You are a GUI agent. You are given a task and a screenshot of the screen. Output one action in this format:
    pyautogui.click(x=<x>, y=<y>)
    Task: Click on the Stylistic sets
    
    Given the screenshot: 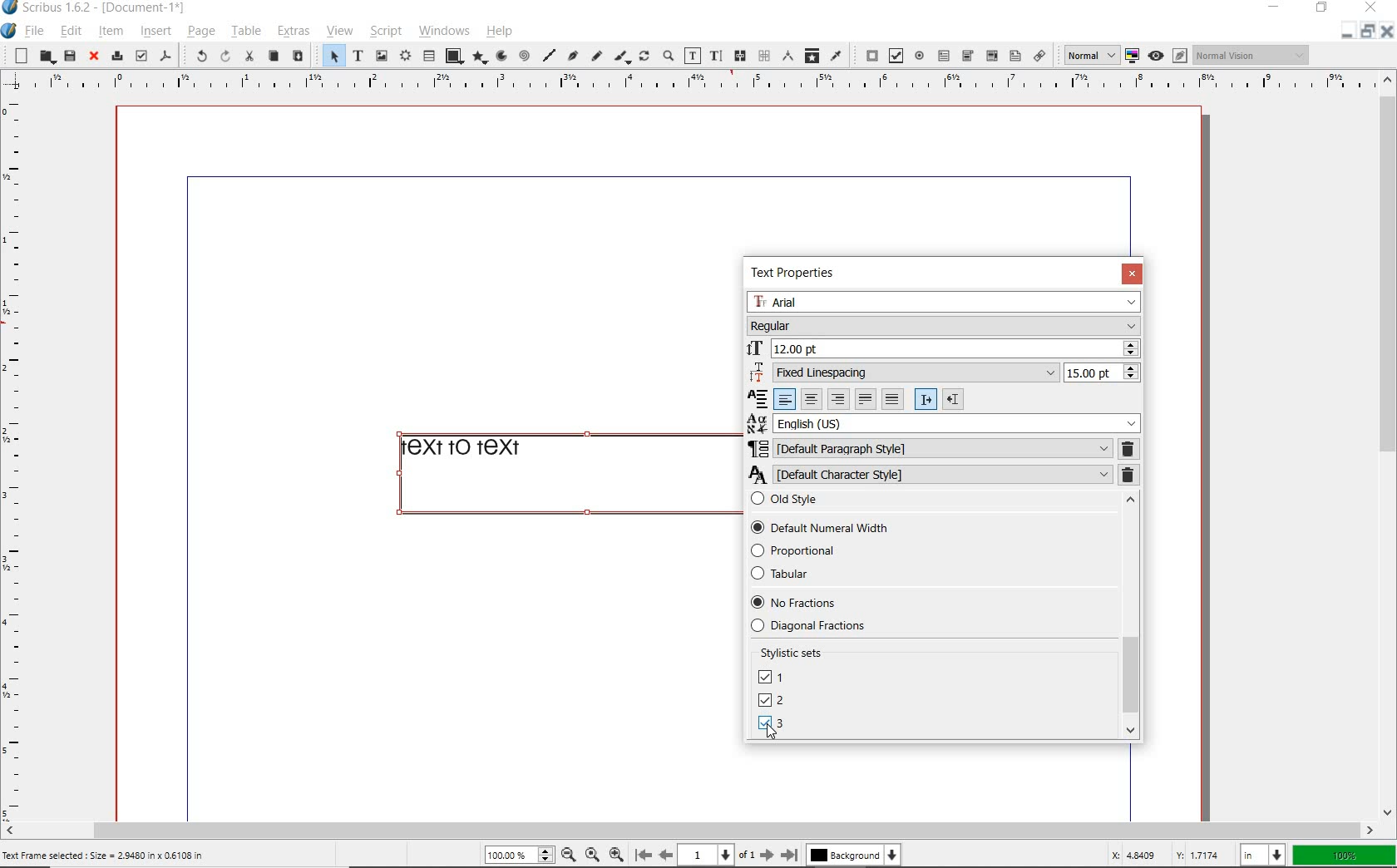 What is the action you would take?
    pyautogui.click(x=803, y=651)
    